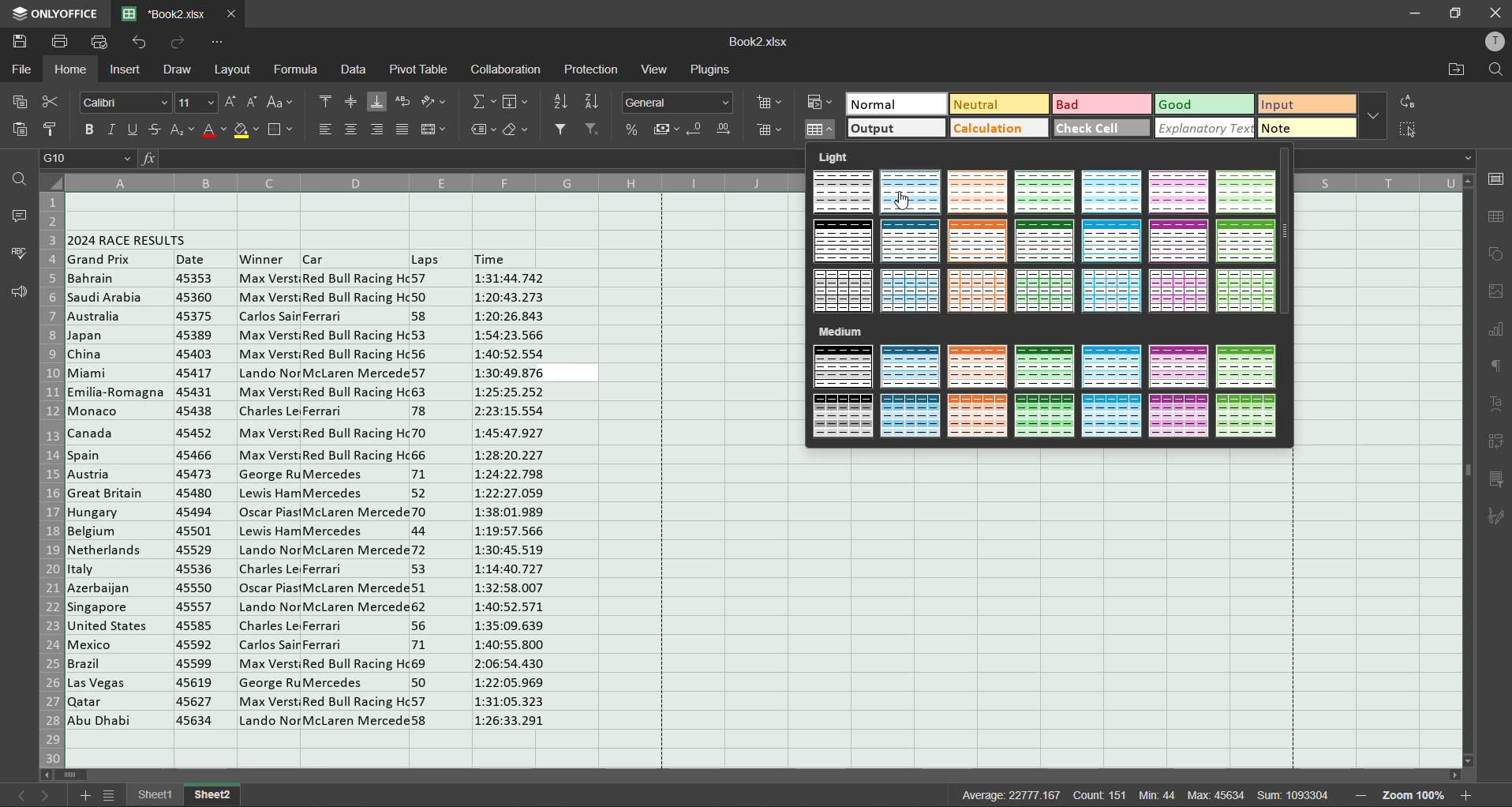 The height and width of the screenshot is (807, 1512). What do you see at coordinates (1249, 418) in the screenshot?
I see `table style medium 14` at bounding box center [1249, 418].